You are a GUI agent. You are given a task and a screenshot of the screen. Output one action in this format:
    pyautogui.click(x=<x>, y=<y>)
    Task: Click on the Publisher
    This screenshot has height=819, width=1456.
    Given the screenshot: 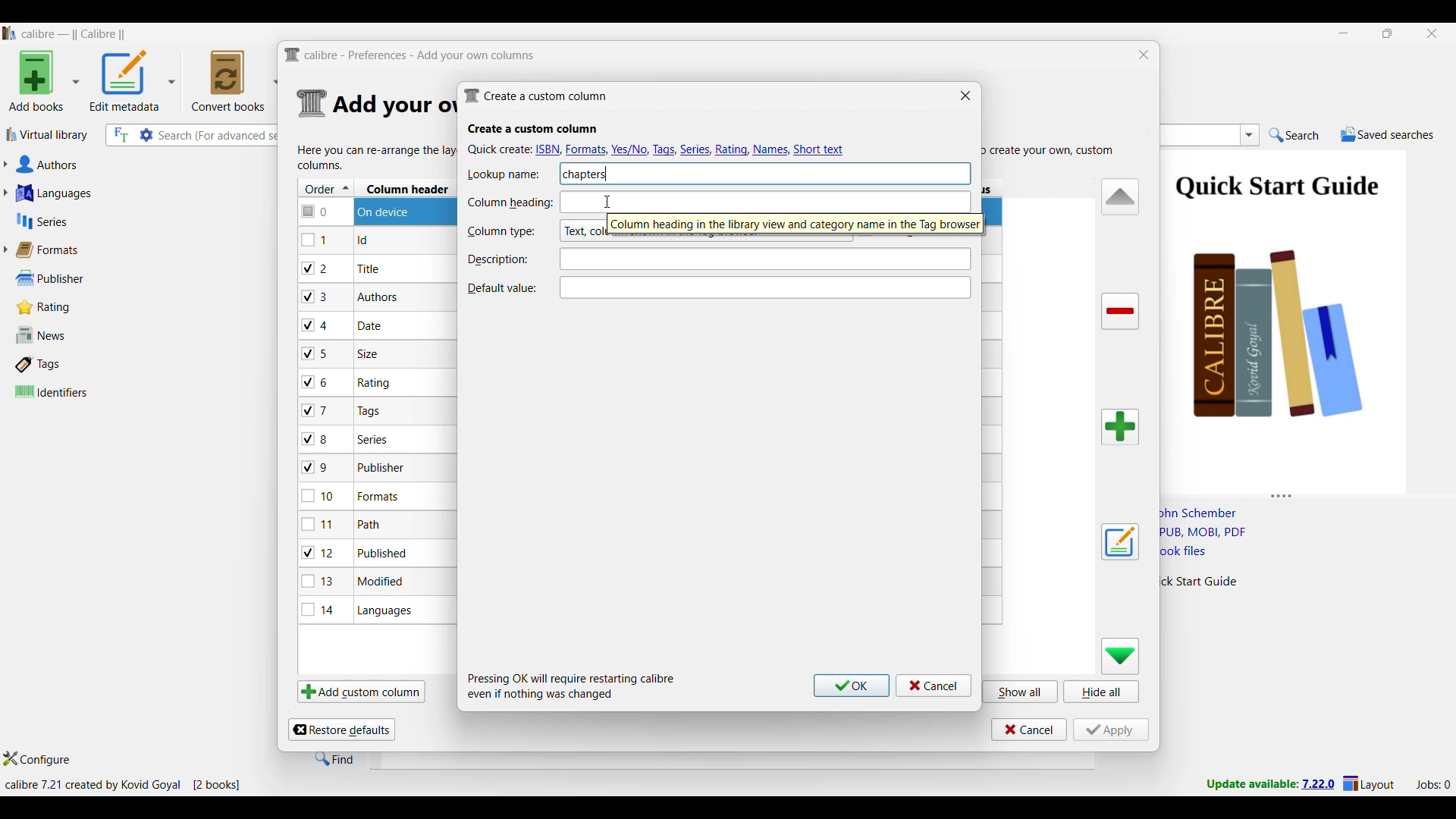 What is the action you would take?
    pyautogui.click(x=67, y=278)
    